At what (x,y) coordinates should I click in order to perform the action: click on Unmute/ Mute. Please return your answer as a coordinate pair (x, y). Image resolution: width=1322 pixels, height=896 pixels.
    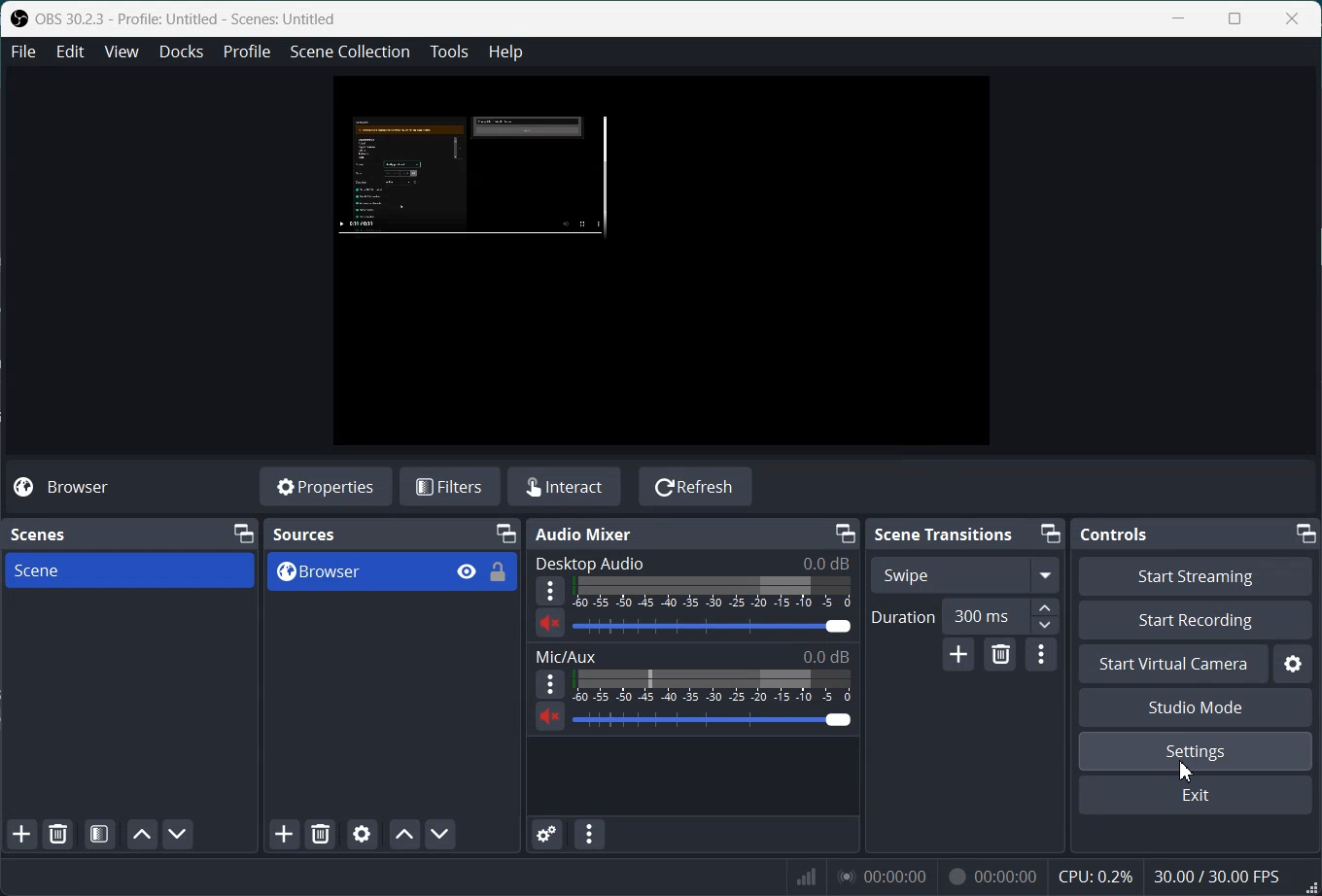
    Looking at the image, I should click on (549, 623).